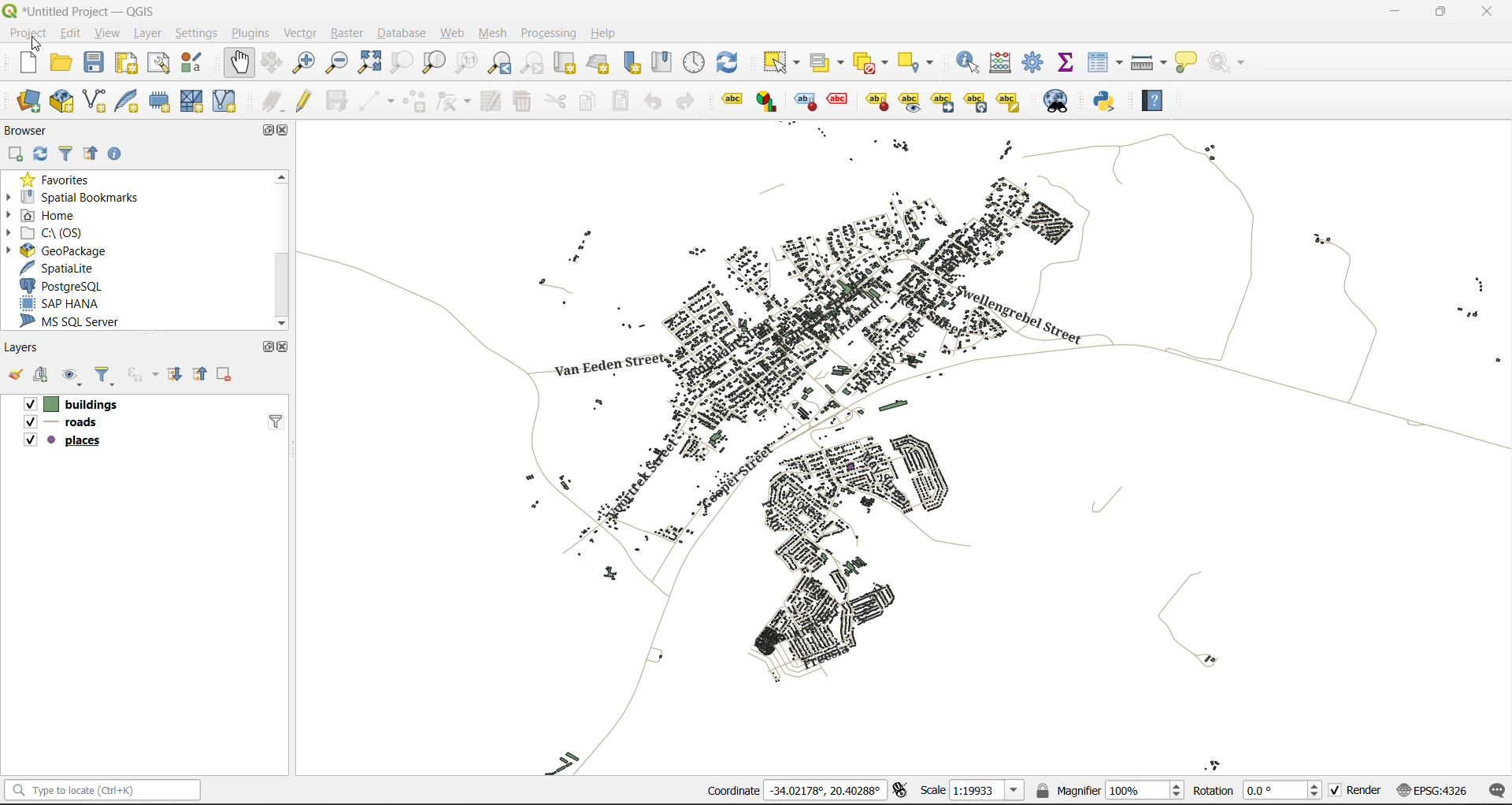 The width and height of the screenshot is (1512, 805). I want to click on maximize, so click(1441, 12).